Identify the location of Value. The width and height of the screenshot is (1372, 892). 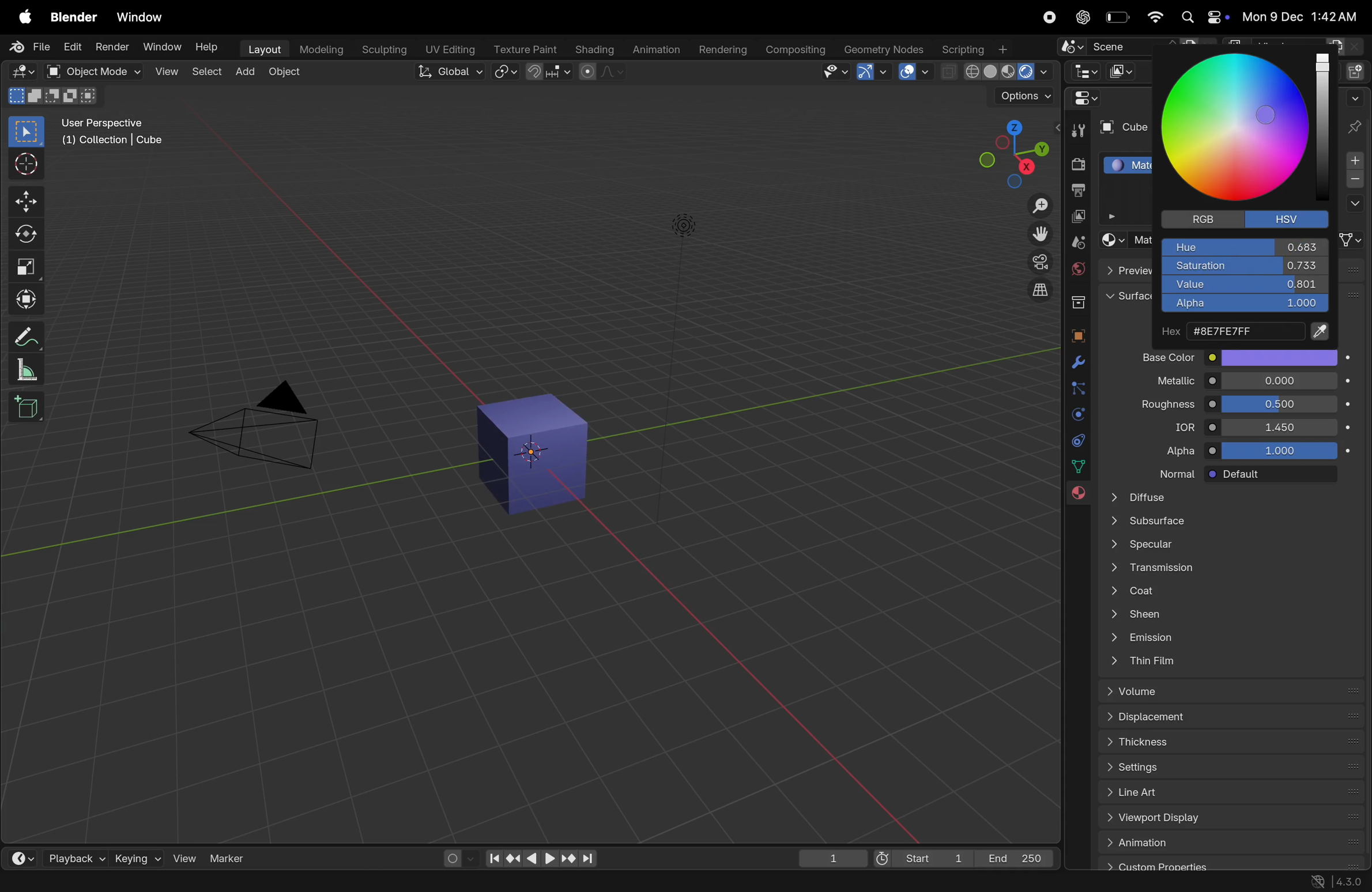
(1245, 285).